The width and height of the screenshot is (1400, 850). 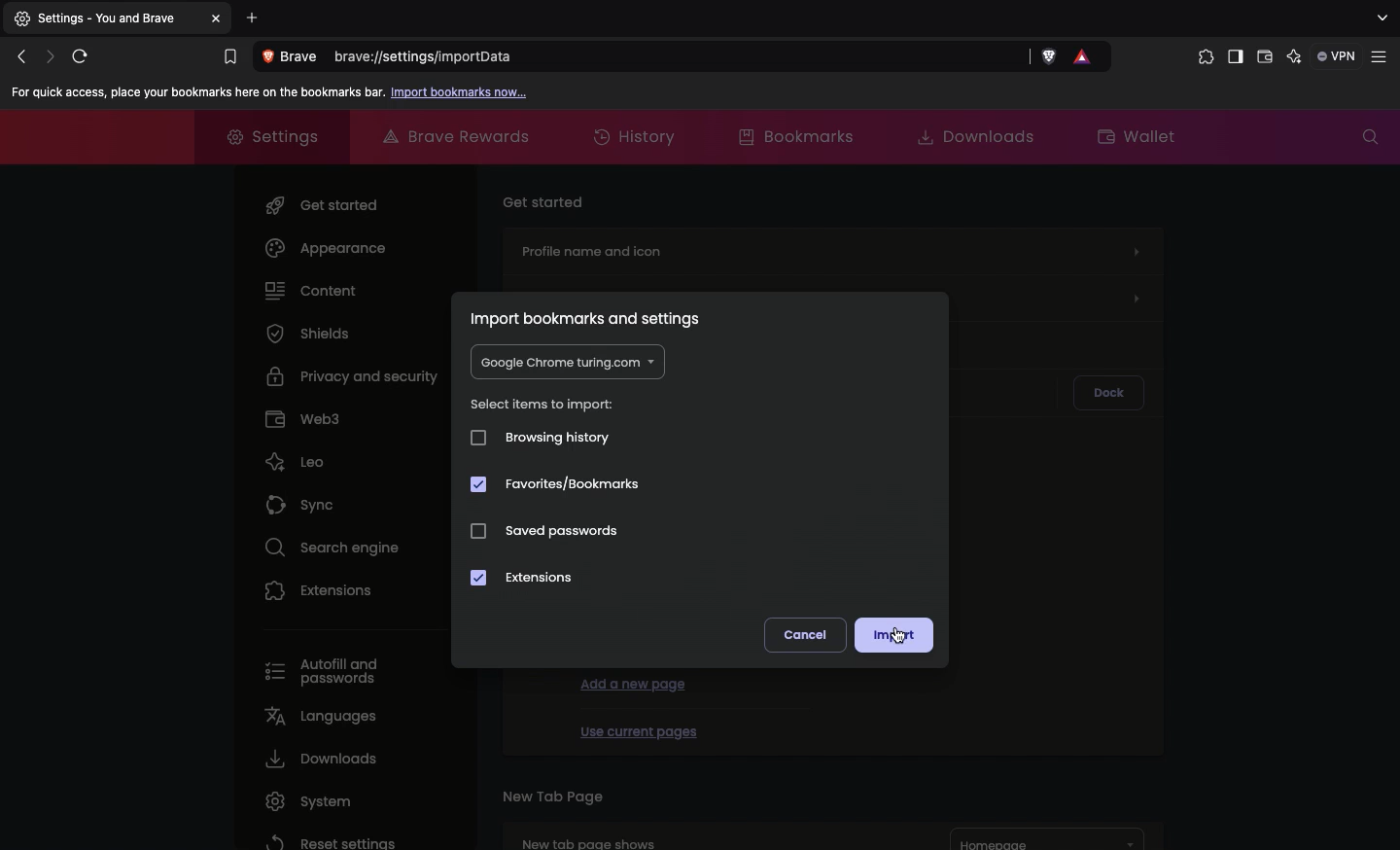 I want to click on Get started, so click(x=326, y=201).